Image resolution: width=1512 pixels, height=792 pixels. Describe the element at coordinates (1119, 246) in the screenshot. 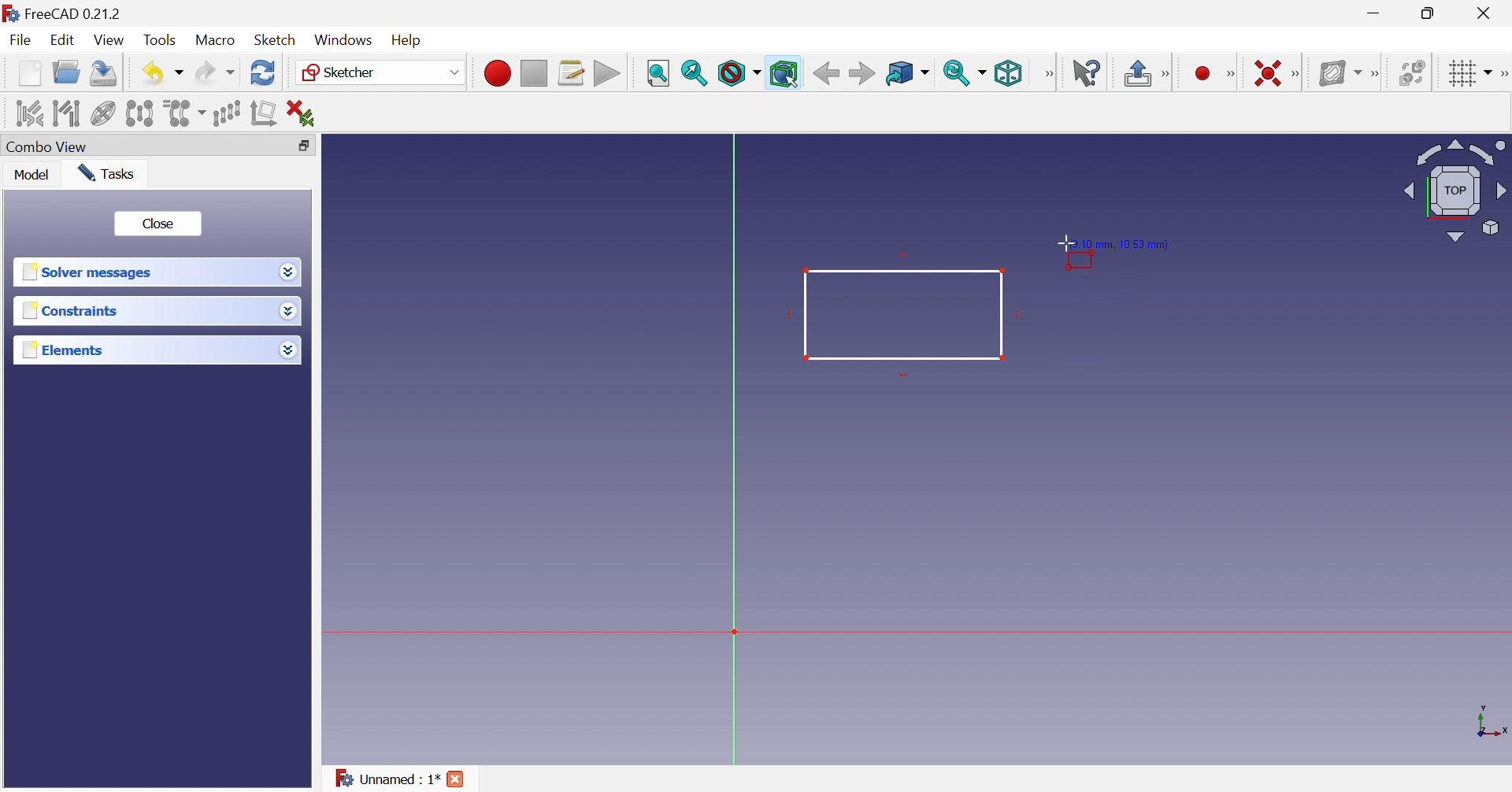

I see `9.10 mm , 10.53 mm` at that location.